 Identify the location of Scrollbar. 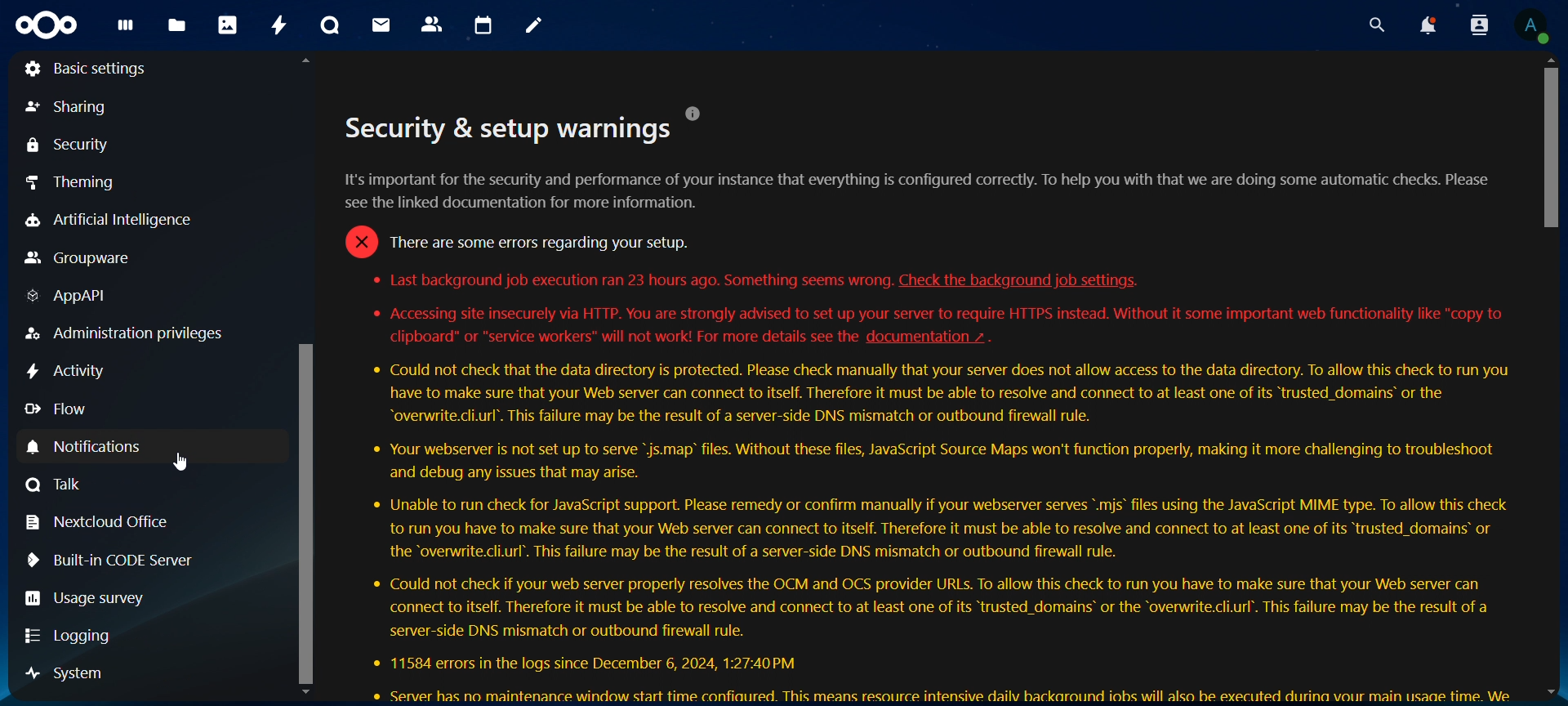
(1543, 378).